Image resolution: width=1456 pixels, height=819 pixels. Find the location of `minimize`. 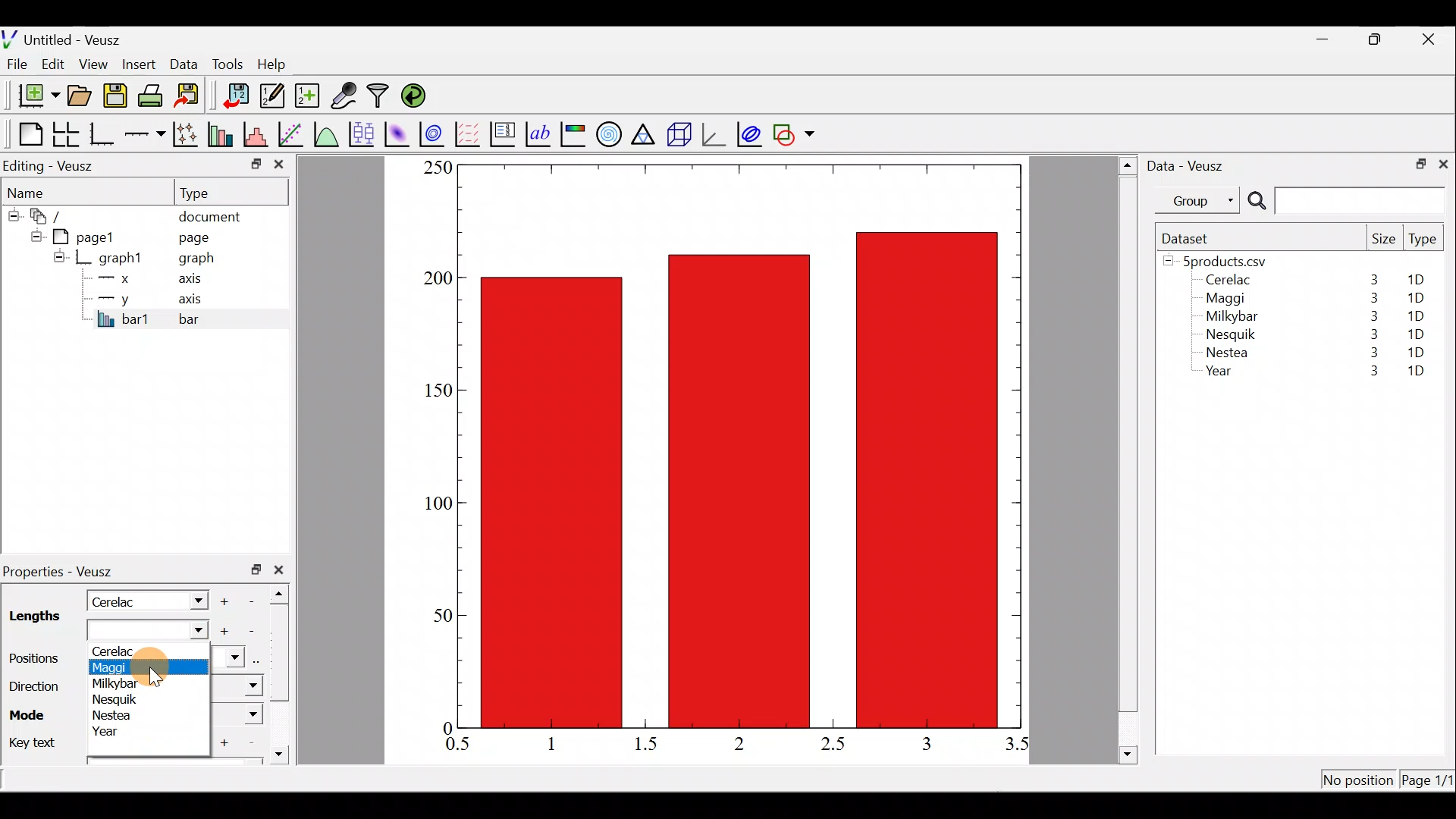

minimize is located at coordinates (255, 163).